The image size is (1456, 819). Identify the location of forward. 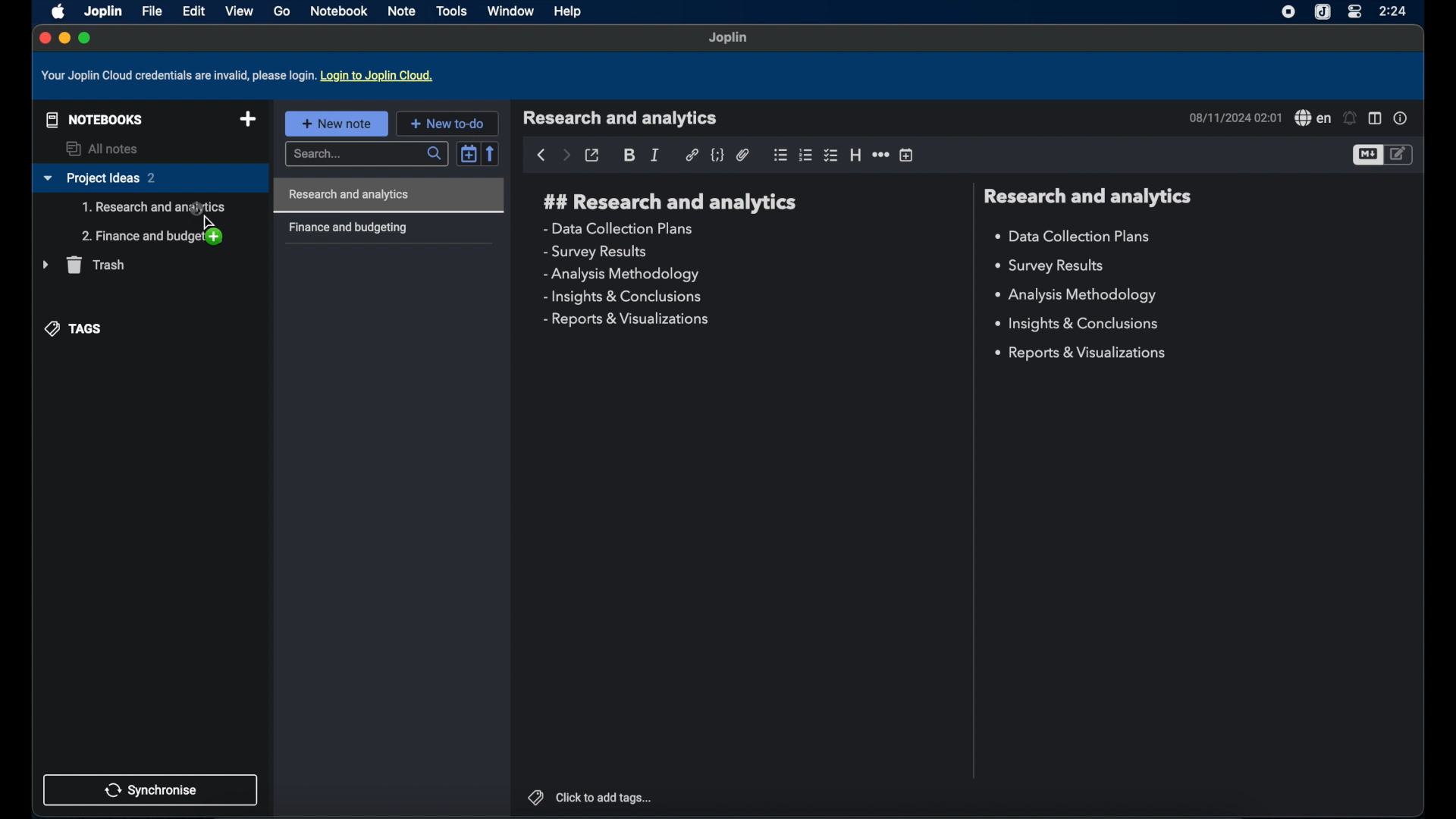
(566, 156).